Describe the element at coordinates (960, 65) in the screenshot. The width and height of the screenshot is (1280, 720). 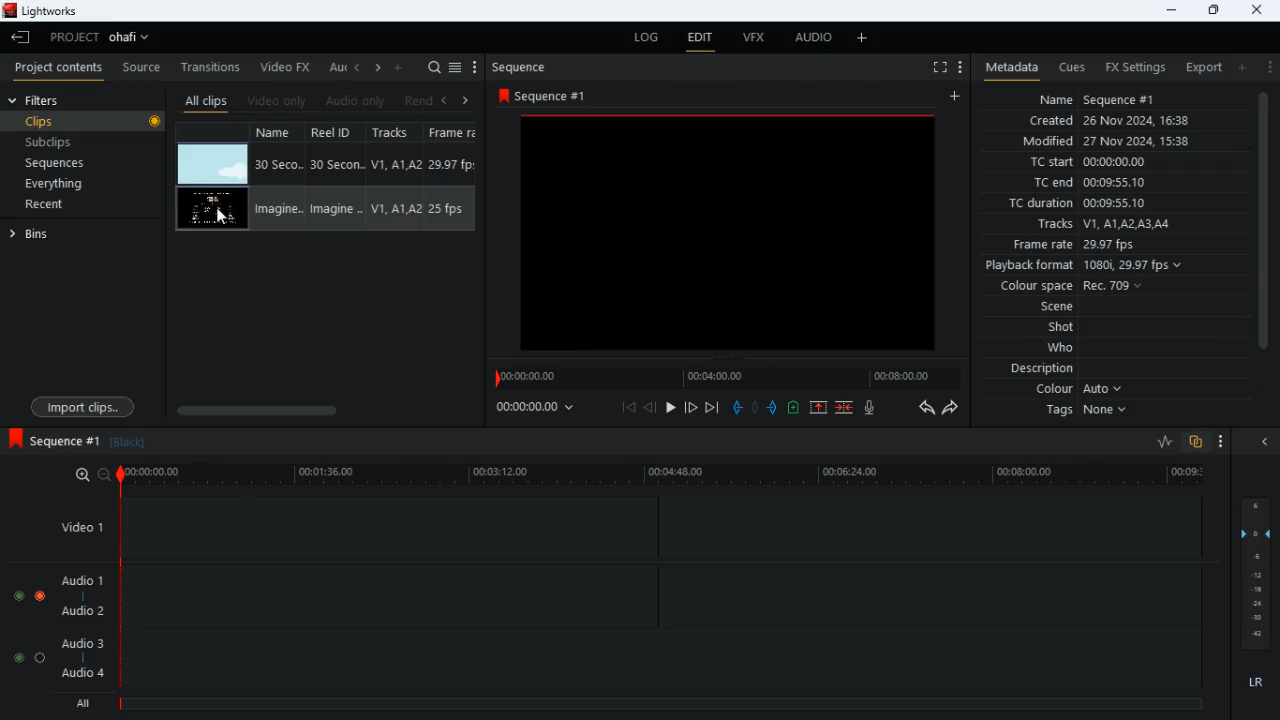
I see `more` at that location.